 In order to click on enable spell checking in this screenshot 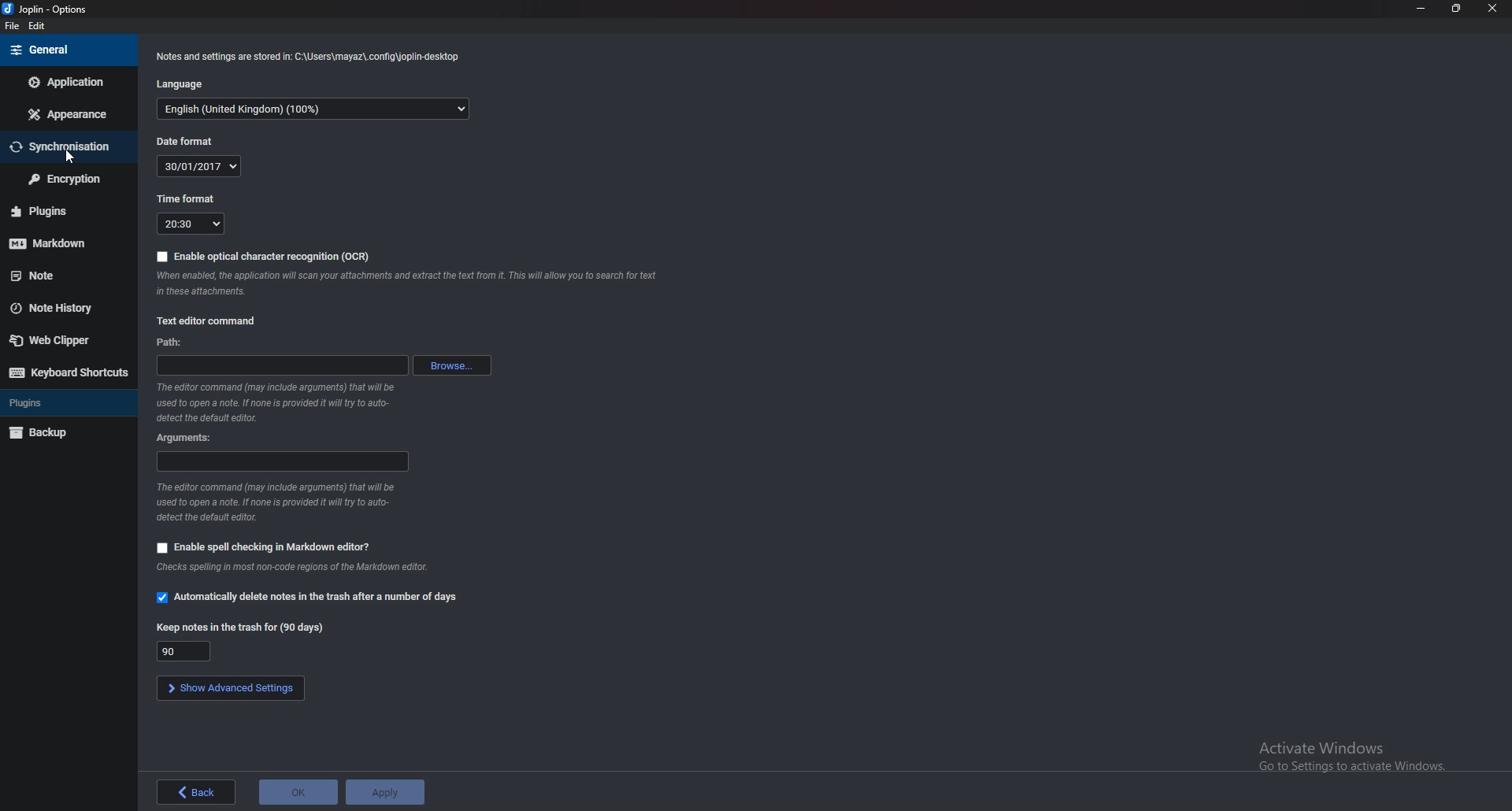, I will do `click(265, 547)`.